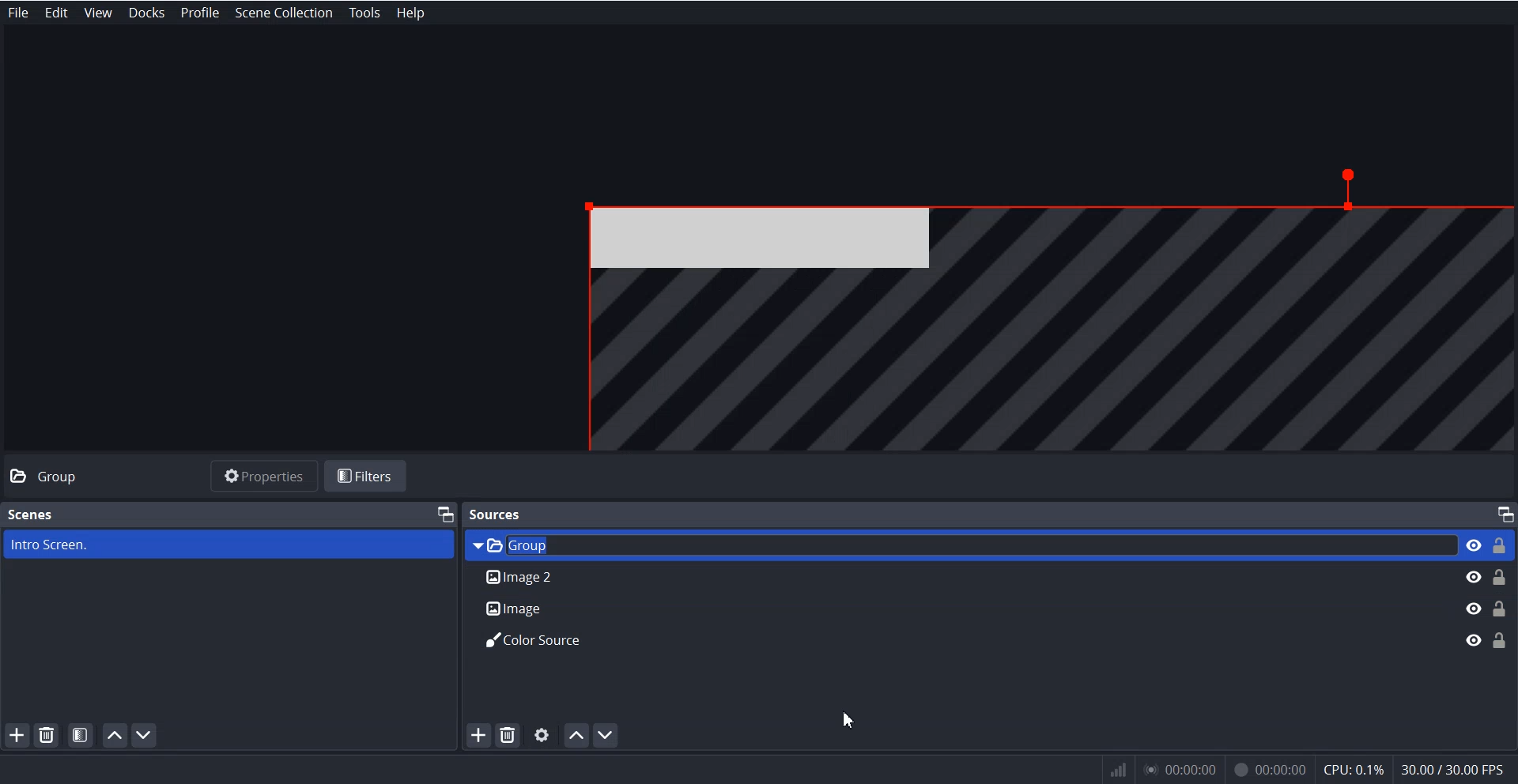  I want to click on Move Source Up, so click(576, 735).